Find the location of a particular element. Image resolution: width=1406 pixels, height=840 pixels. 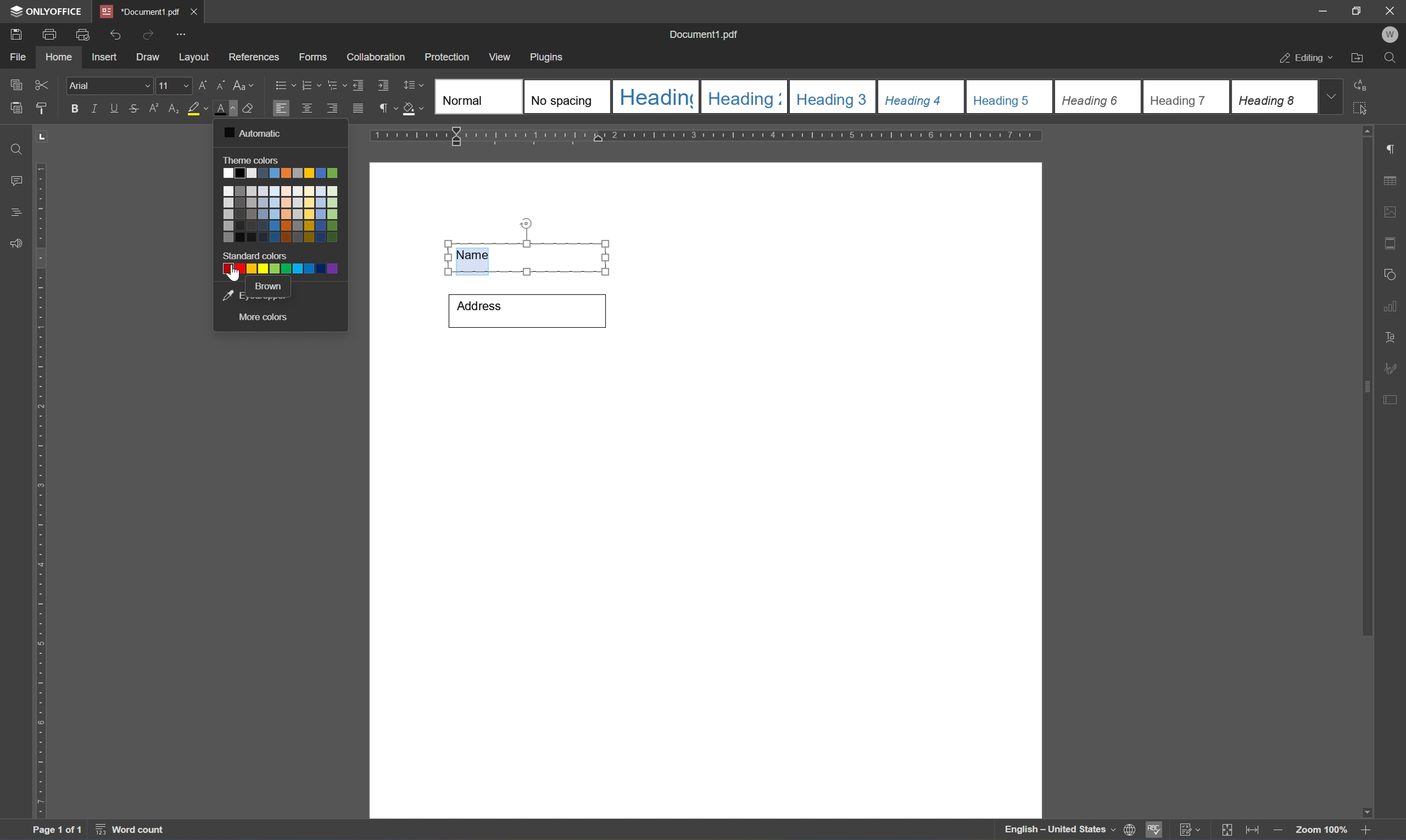

table settings is located at coordinates (1392, 179).